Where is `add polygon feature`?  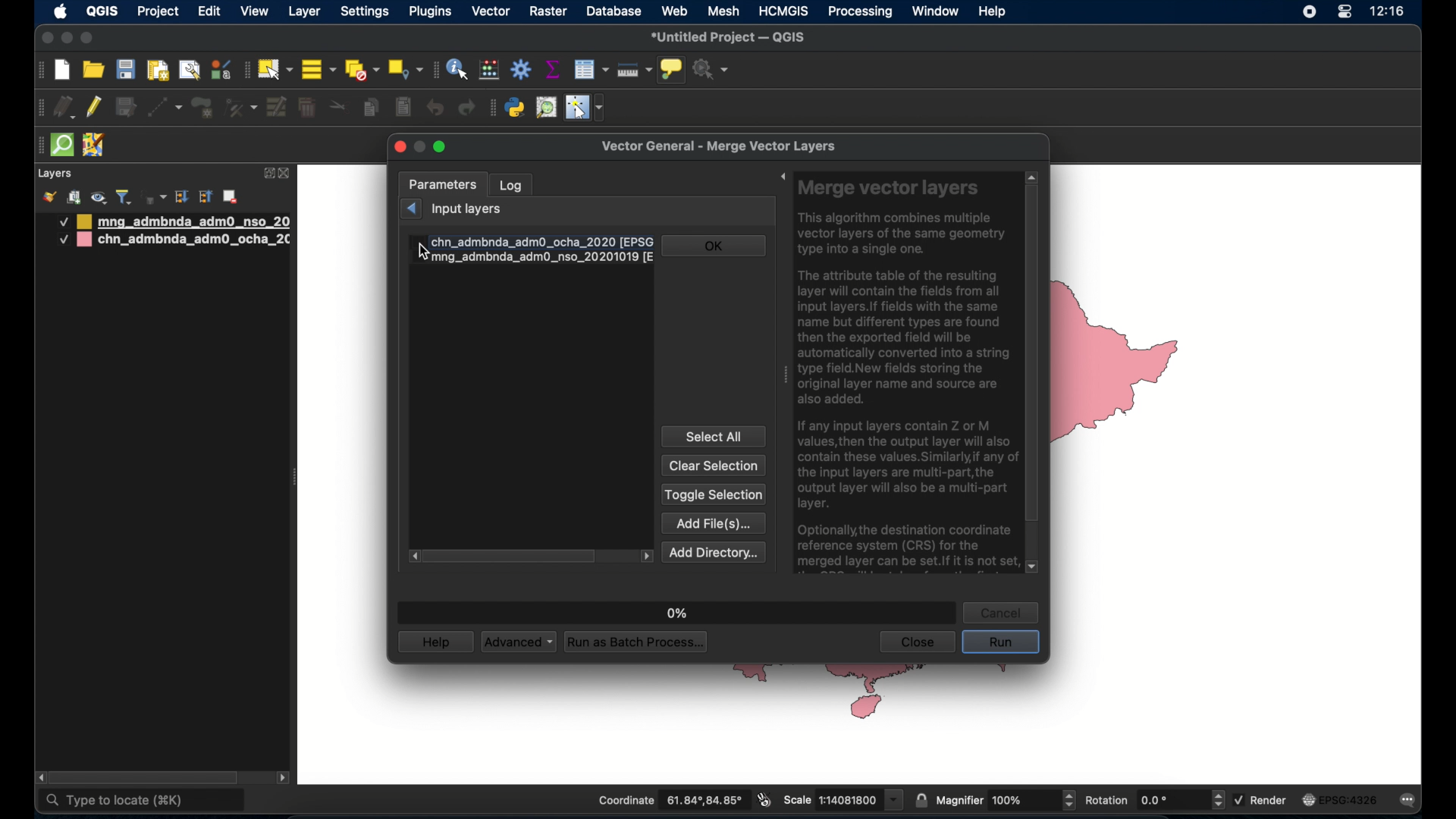 add polygon feature is located at coordinates (202, 108).